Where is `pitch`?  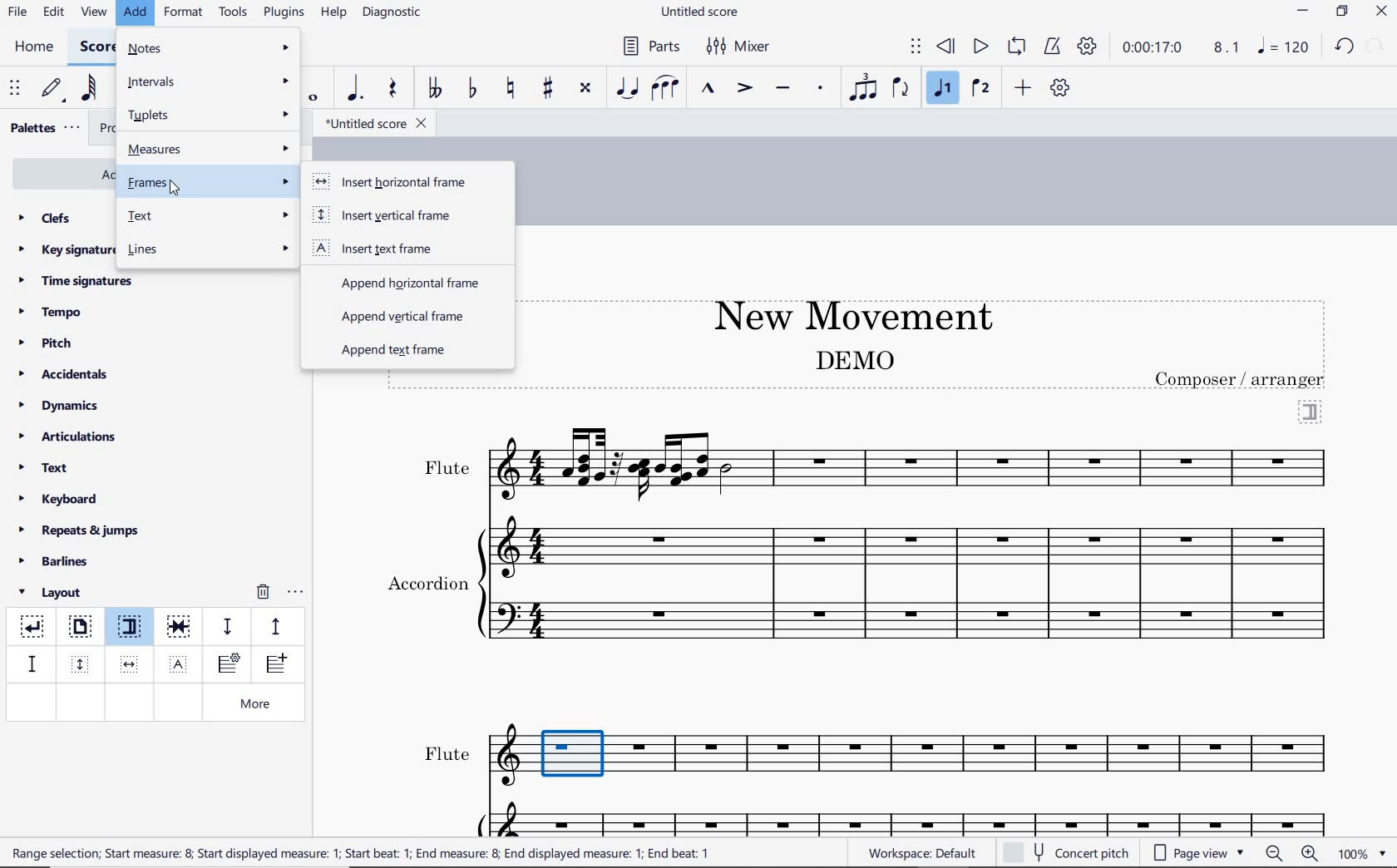
pitch is located at coordinates (52, 343).